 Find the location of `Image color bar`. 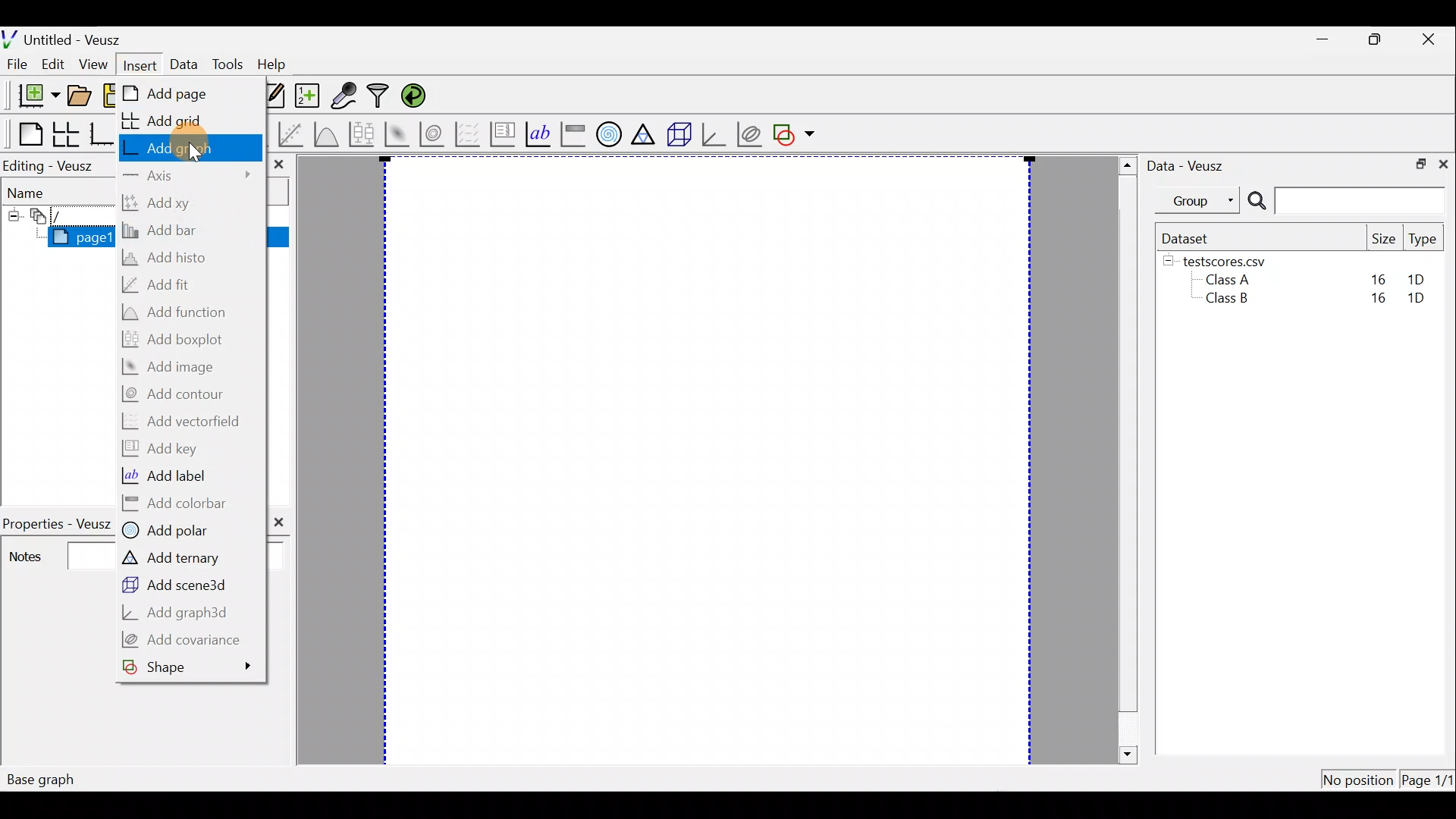

Image color bar is located at coordinates (573, 134).